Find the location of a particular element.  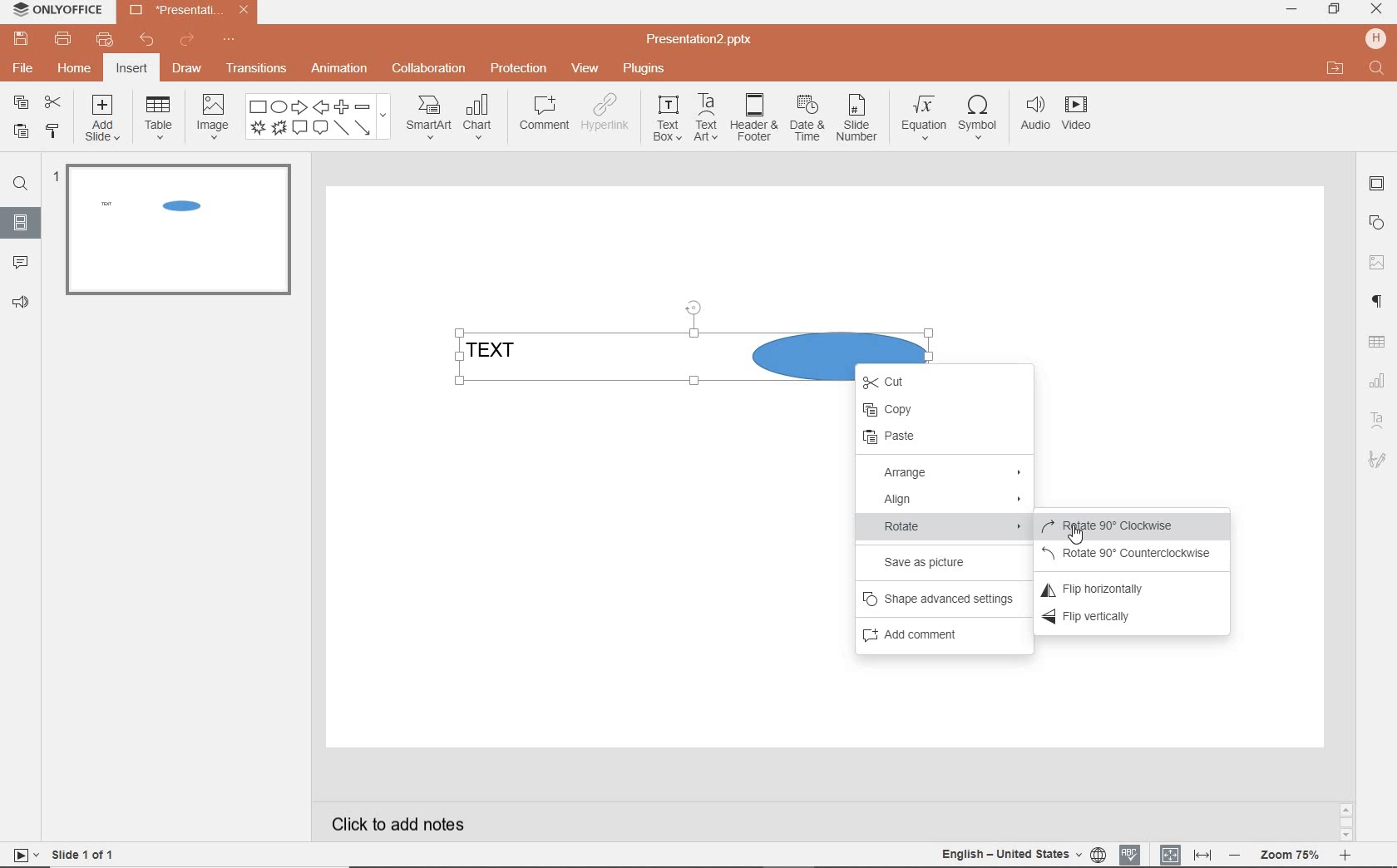

cut is located at coordinates (53, 104).